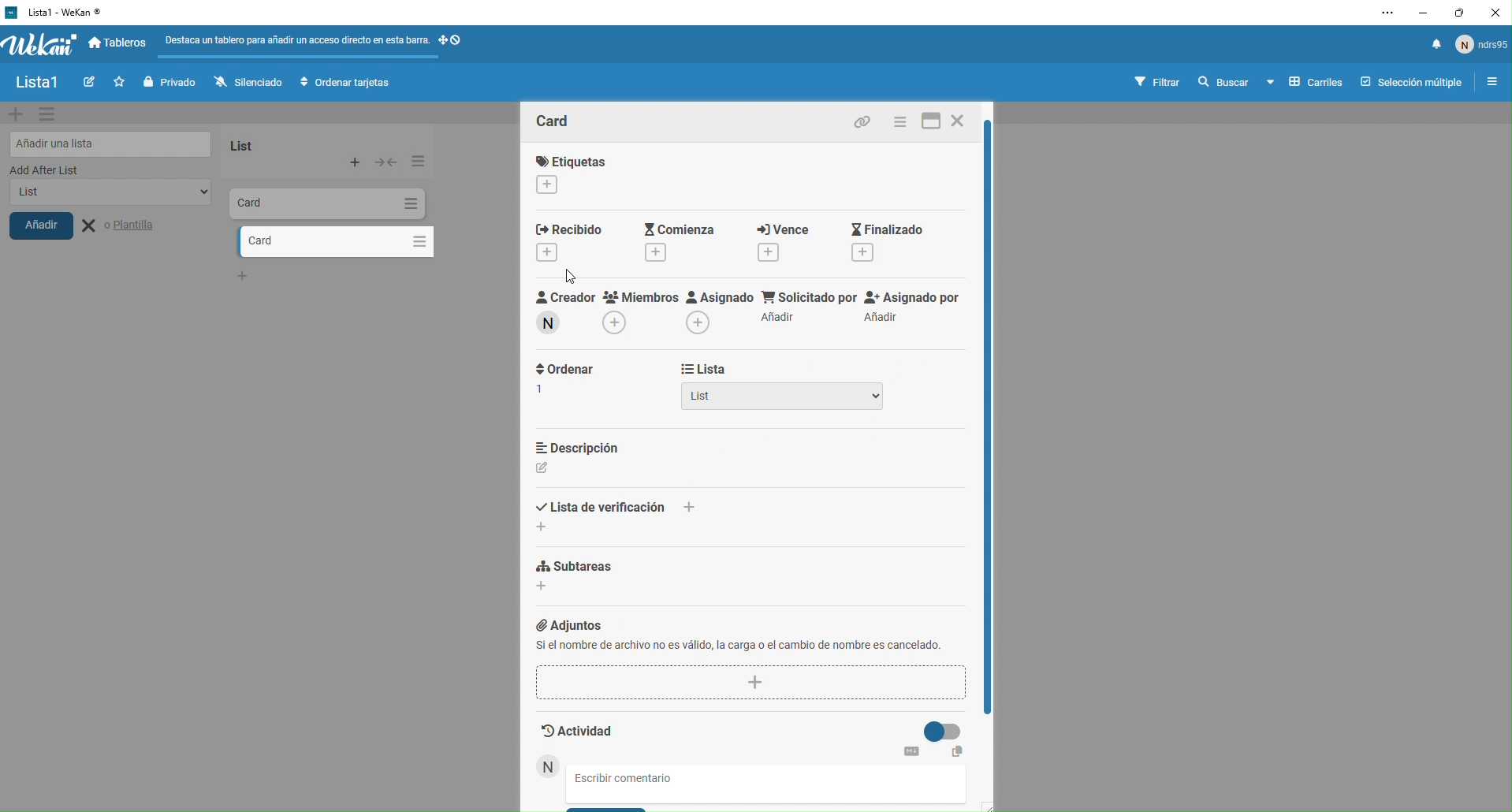 This screenshot has width=1512, height=812. What do you see at coordinates (290, 202) in the screenshot?
I see `Card` at bounding box center [290, 202].